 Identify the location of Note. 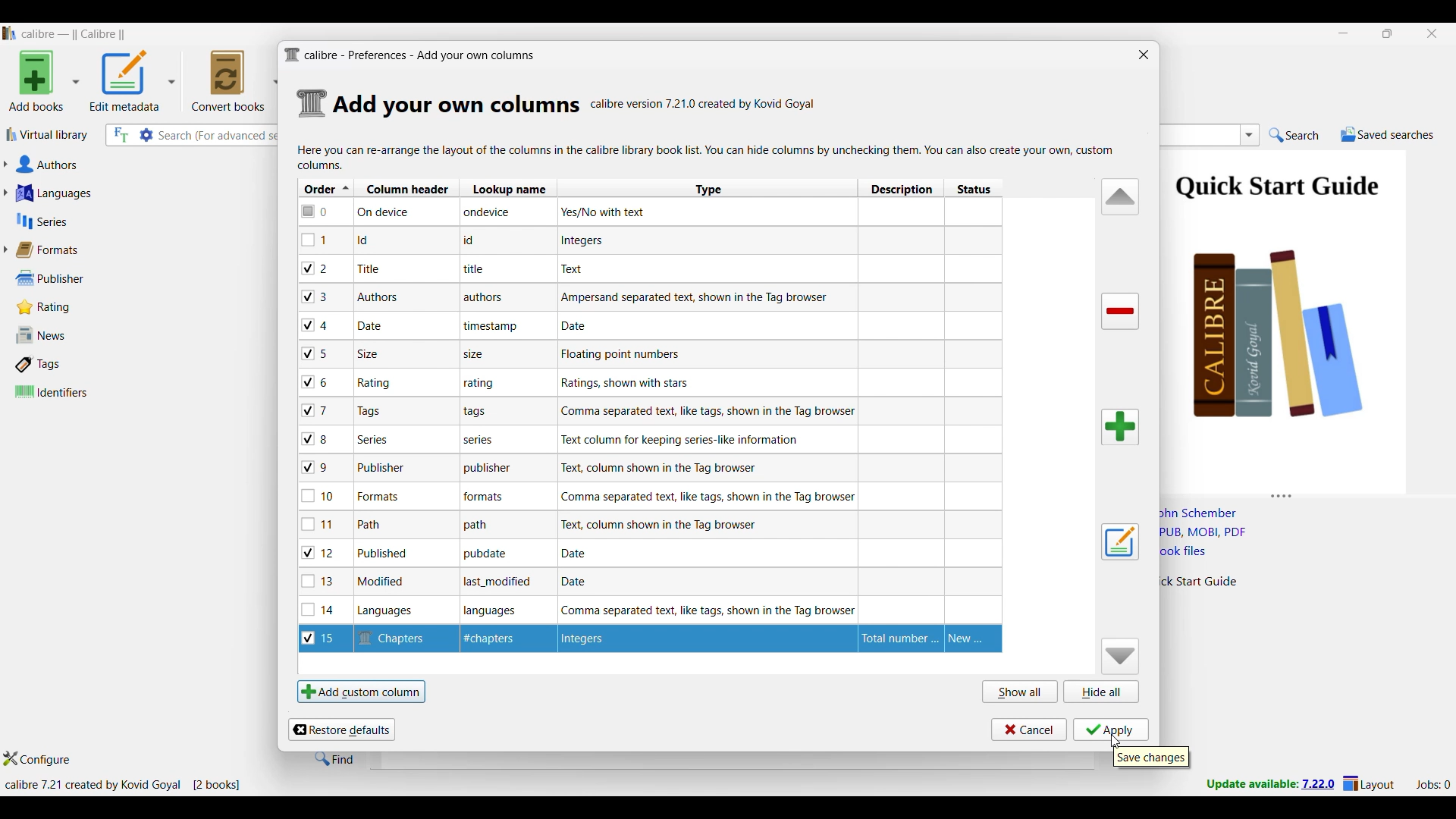
(393, 611).